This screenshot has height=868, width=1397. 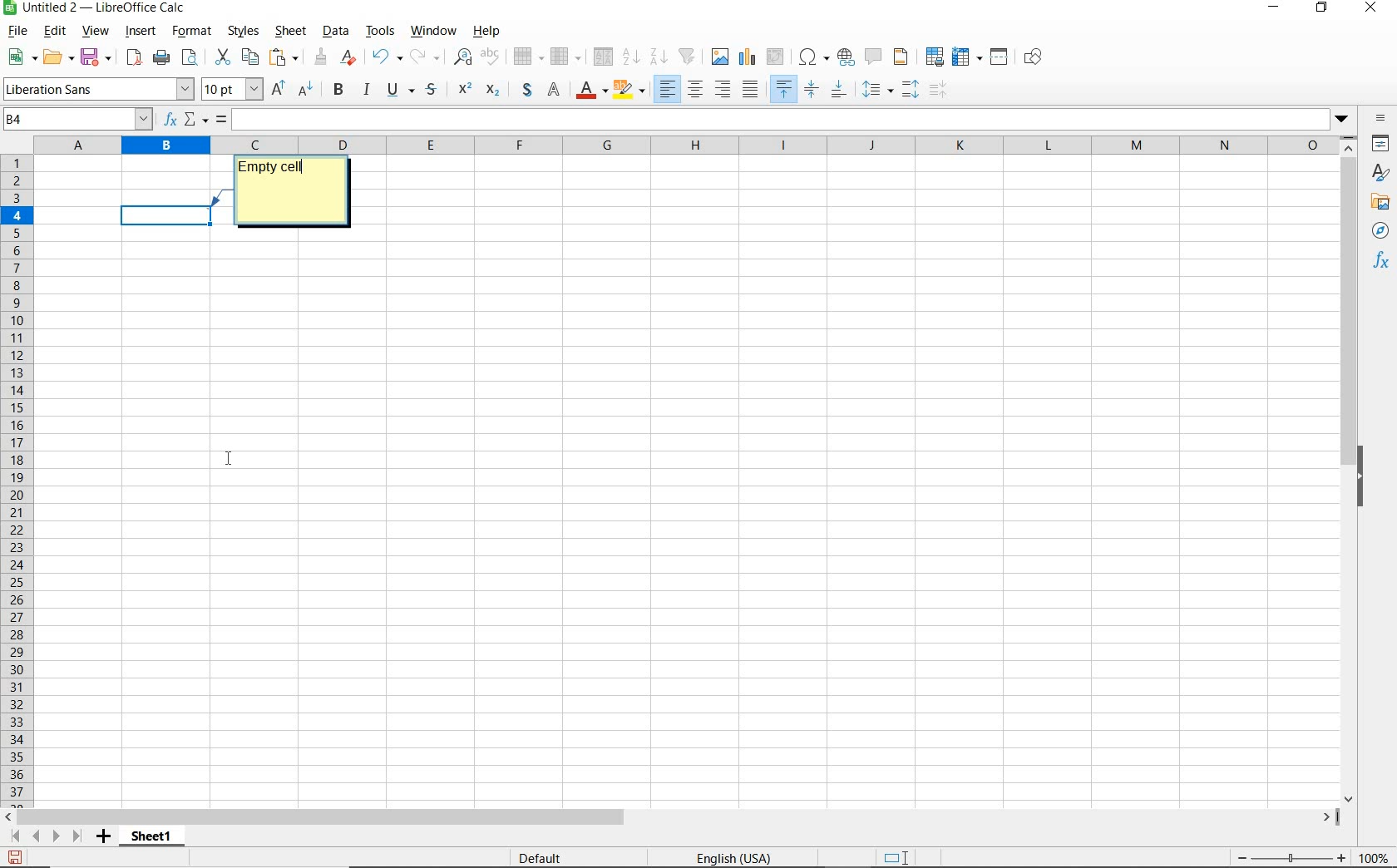 I want to click on sort, so click(x=602, y=57).